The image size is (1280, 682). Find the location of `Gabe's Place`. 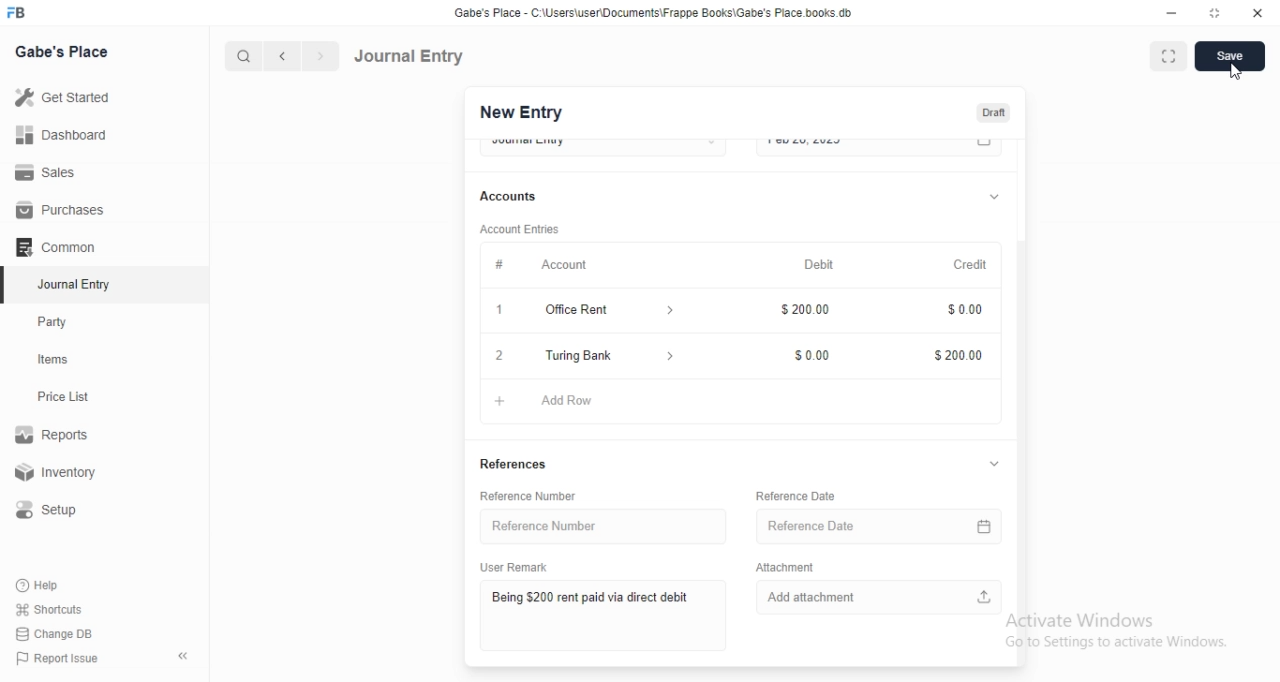

Gabe's Place is located at coordinates (64, 51).